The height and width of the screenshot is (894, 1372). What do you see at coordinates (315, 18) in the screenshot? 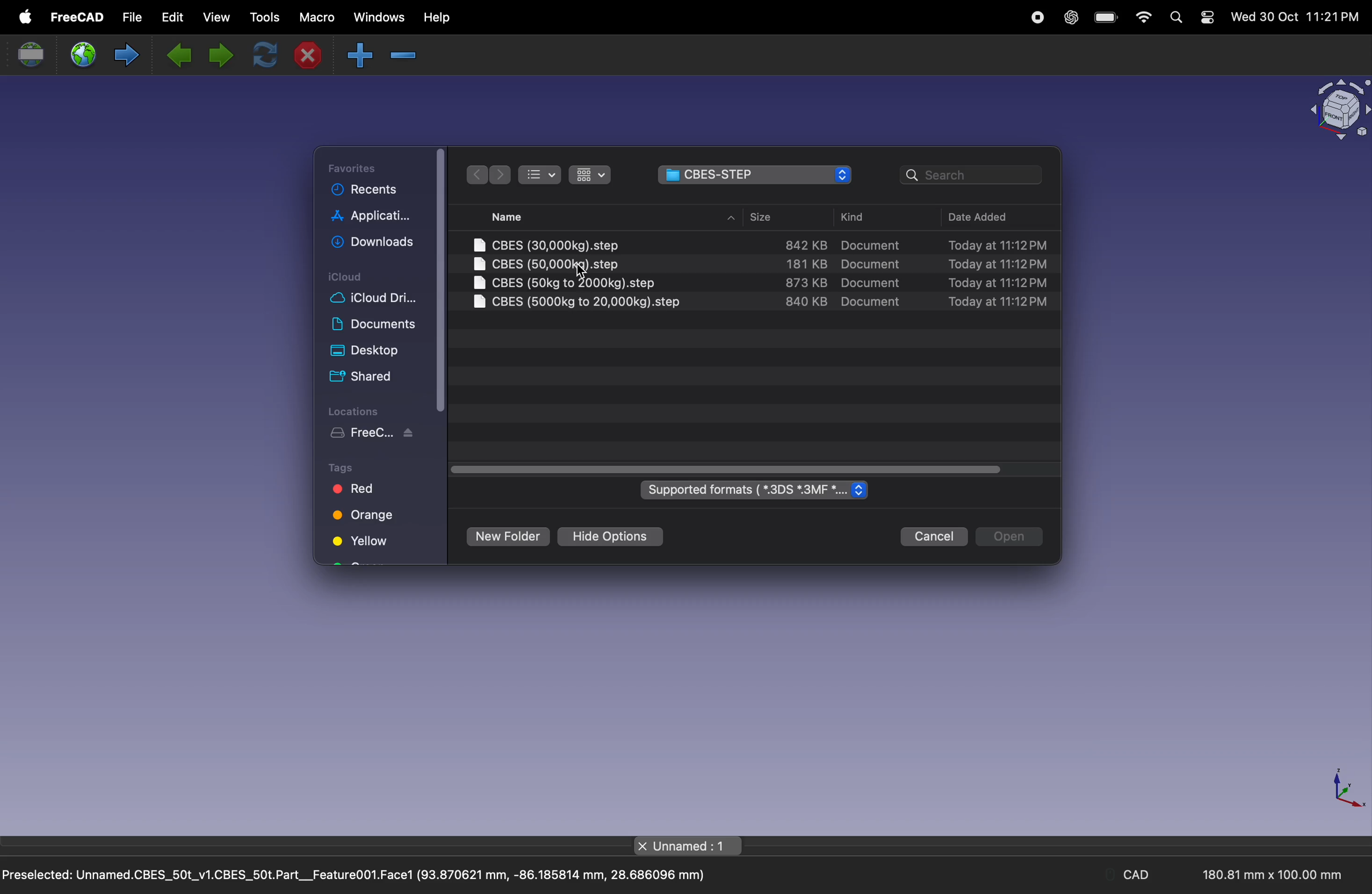
I see `marco` at bounding box center [315, 18].